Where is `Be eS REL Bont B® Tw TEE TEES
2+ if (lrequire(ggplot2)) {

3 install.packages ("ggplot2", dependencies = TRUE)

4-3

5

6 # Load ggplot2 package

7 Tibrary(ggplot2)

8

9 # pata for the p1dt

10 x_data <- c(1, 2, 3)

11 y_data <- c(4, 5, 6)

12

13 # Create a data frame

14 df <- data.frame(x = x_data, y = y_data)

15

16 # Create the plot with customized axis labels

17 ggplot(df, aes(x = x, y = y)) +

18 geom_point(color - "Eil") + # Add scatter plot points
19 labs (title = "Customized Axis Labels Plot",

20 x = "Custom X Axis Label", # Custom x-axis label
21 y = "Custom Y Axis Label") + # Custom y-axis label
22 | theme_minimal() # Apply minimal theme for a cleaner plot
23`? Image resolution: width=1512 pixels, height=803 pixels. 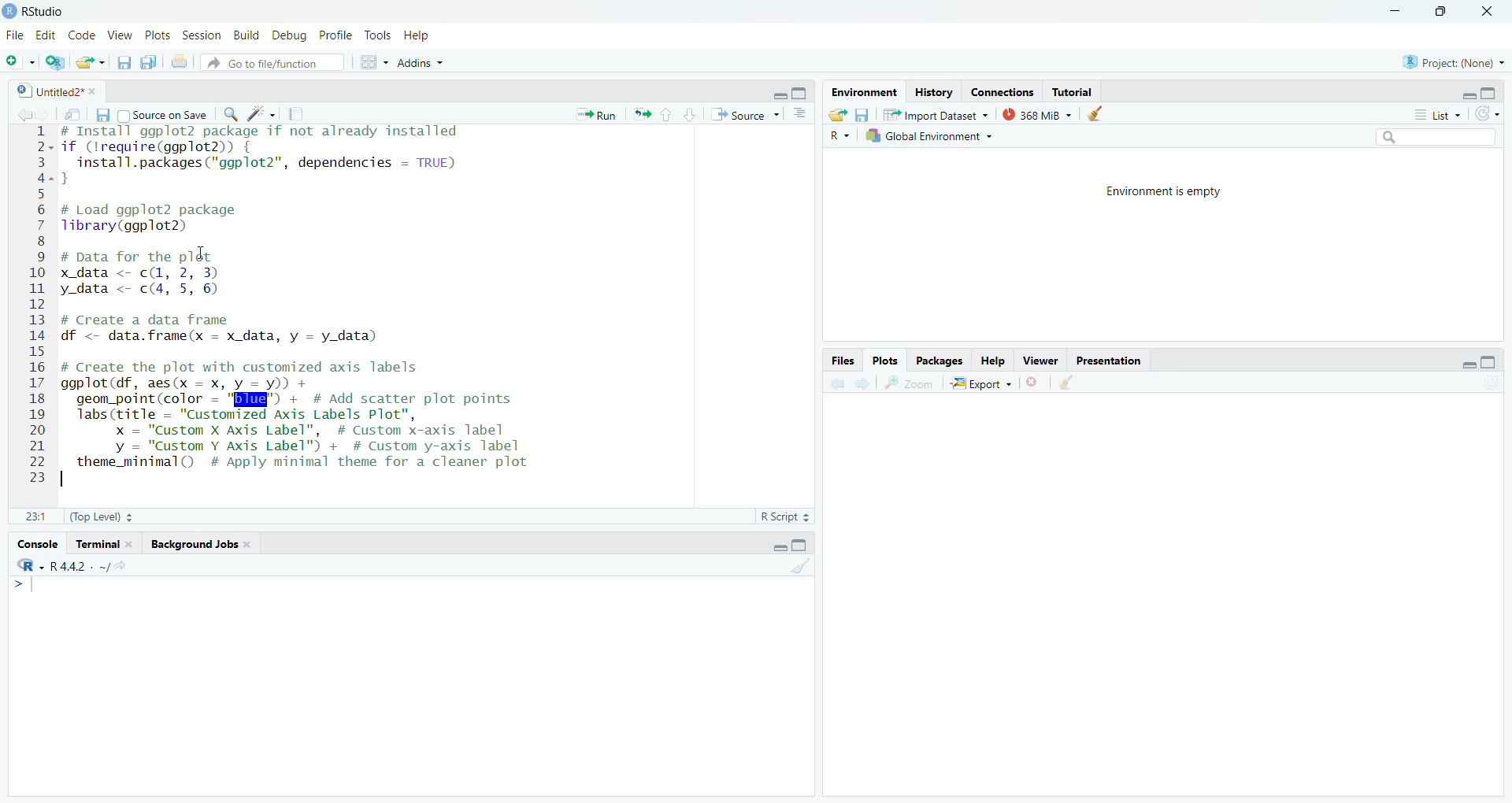
Be eS REL Bont B® Tw TEE TEES
2+ if (lrequire(ggplot2)) {

3 install.packages ("ggplot2", dependencies = TRUE)

4-3

5

6 # Load ggplot2 package

7 Tibrary(ggplot2)

8

9 # pata for the p1dt

10 x_data <- c(1, 2, 3)

11 y_data <- c(4, 5, 6)

12

13 # Create a data frame

14 df <- data.frame(x = x_data, y = y_data)

15

16 # Create the plot with customized axis labels

17 ggplot(df, aes(x = x, y = y)) +

18 geom_point(color - "Eil") + # Add scatter plot points
19 labs (title = "Customized Axis Labels Plot",

20 x = "Custom X Axis Label", # Custom x-axis label
21 y = "Custom Y Axis Label") + # Custom y-axis label
22 | theme_minimal() # Apply minimal theme for a cleaner plot
23 is located at coordinates (315, 307).